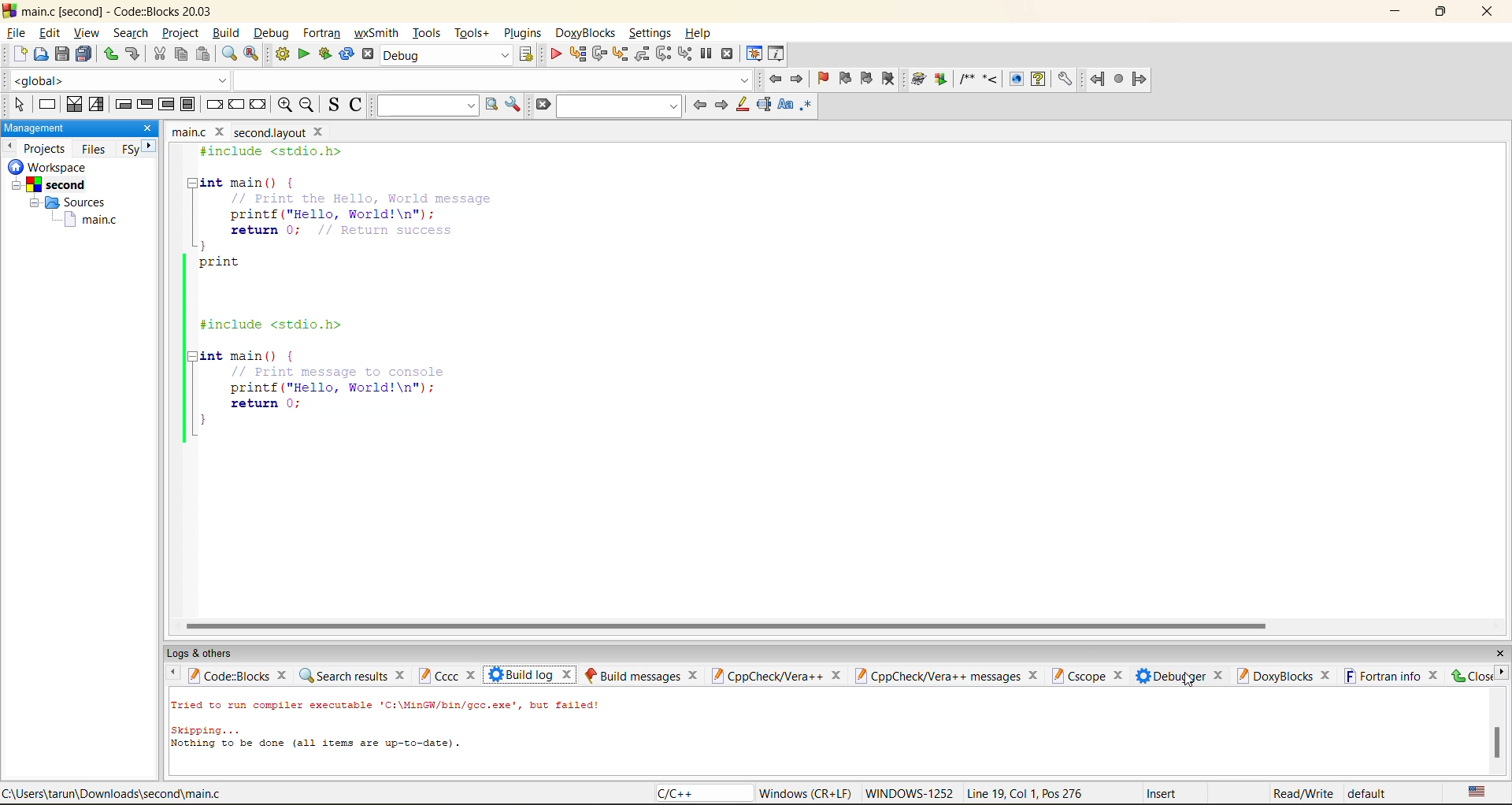 This screenshot has height=805, width=1512. What do you see at coordinates (120, 105) in the screenshot?
I see `entry condition loop` at bounding box center [120, 105].